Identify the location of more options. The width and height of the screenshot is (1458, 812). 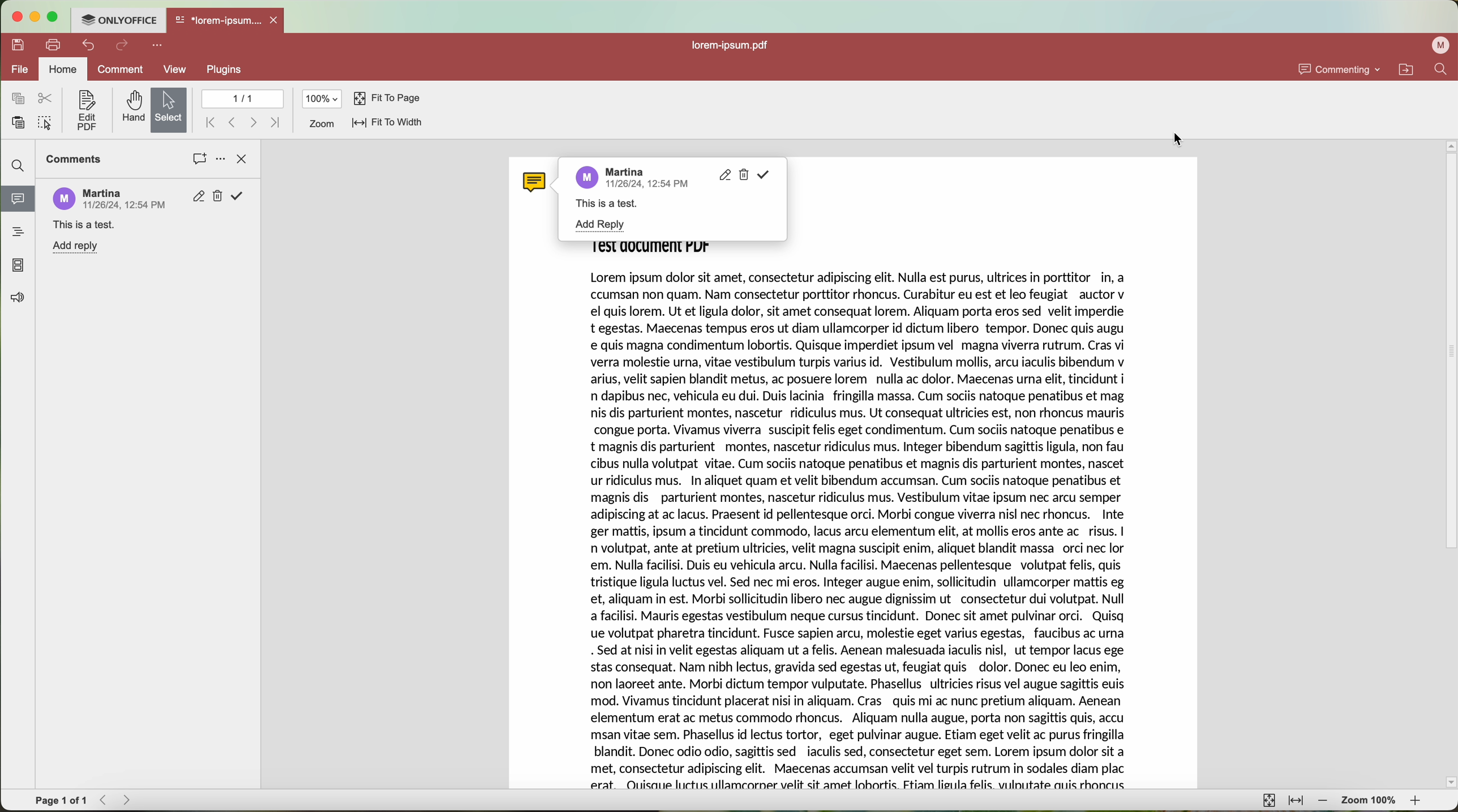
(158, 46).